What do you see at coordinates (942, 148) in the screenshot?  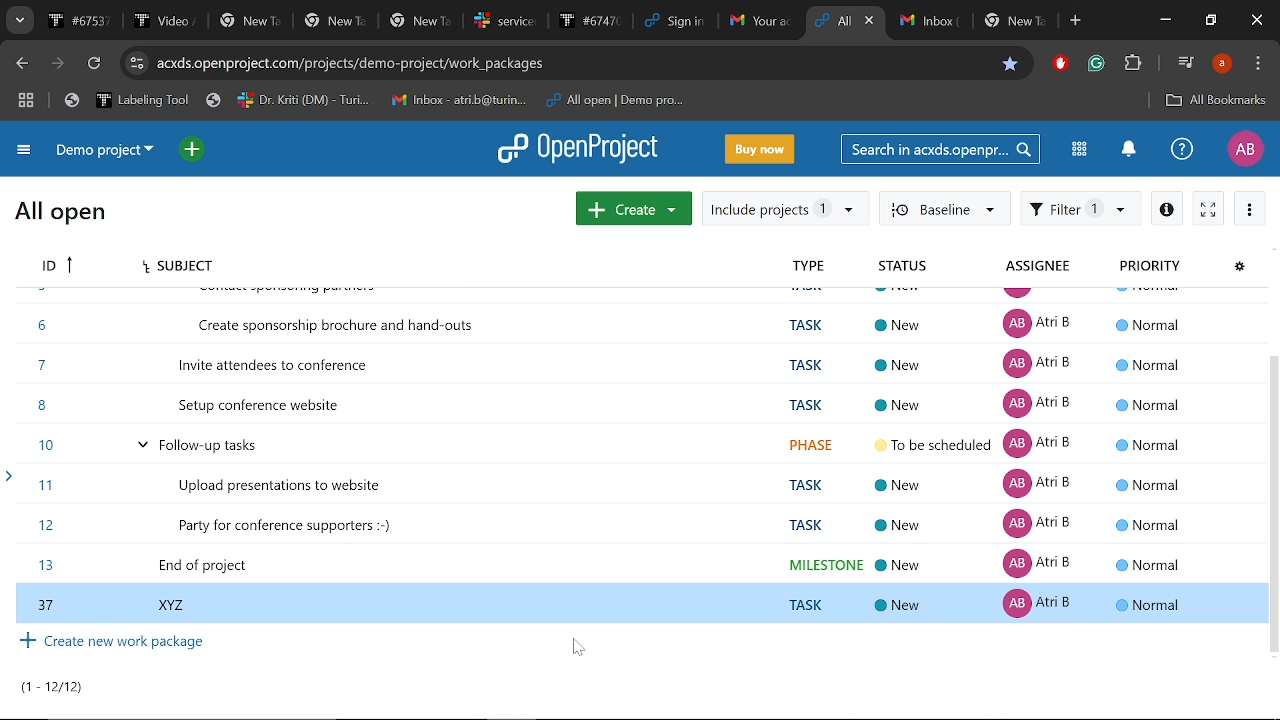 I see `Search in acxds.openproject` at bounding box center [942, 148].